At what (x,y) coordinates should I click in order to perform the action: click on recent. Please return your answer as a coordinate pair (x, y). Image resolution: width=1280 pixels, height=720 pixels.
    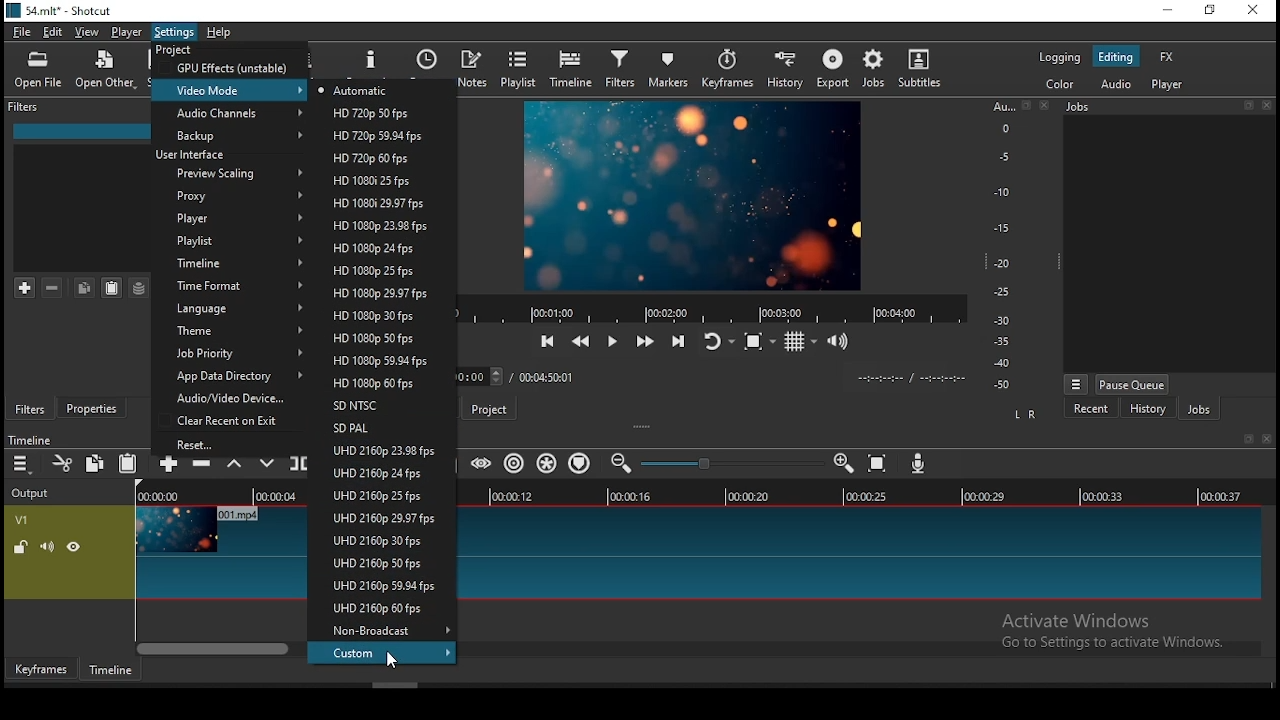
    Looking at the image, I should click on (1091, 409).